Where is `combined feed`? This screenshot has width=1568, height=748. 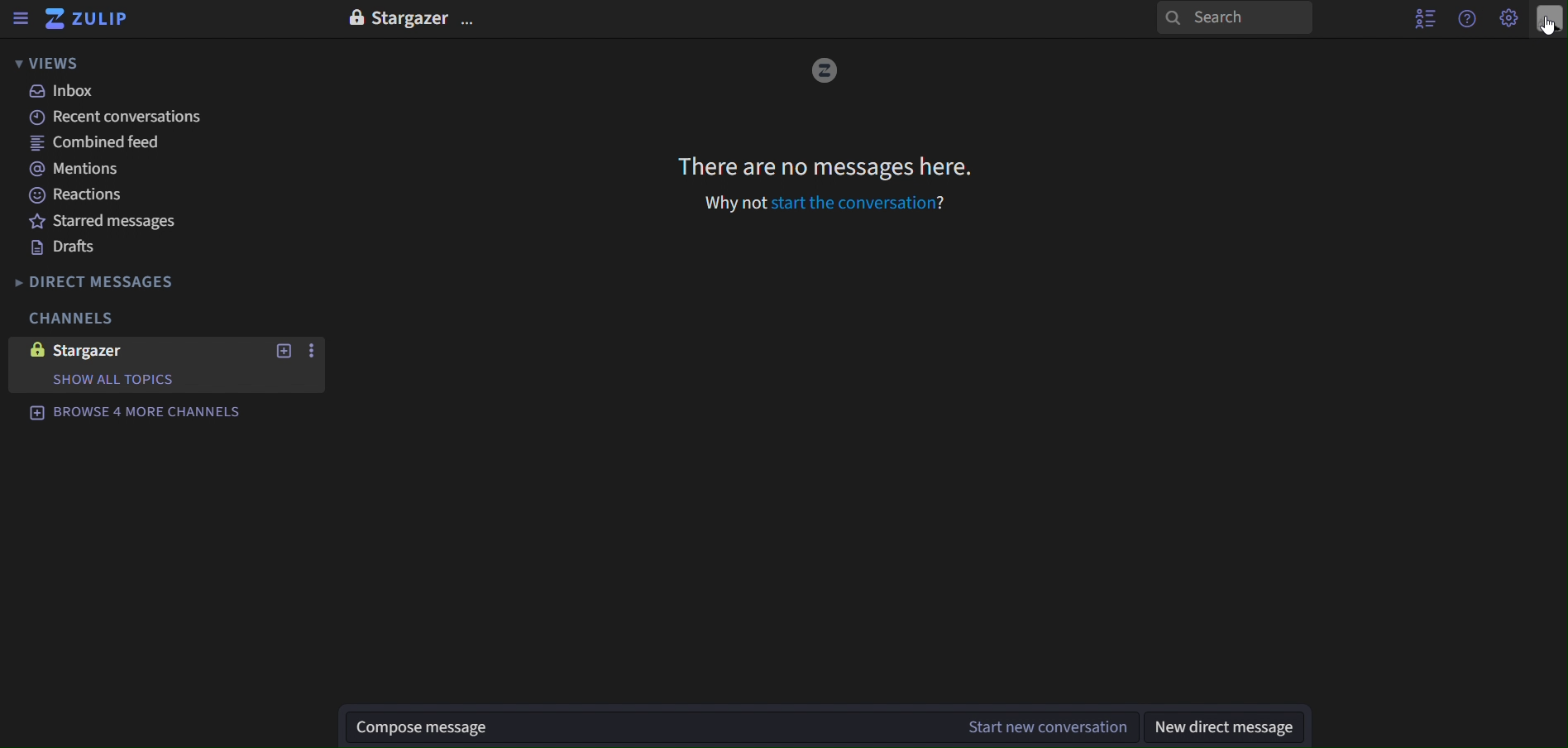
combined feed is located at coordinates (109, 145).